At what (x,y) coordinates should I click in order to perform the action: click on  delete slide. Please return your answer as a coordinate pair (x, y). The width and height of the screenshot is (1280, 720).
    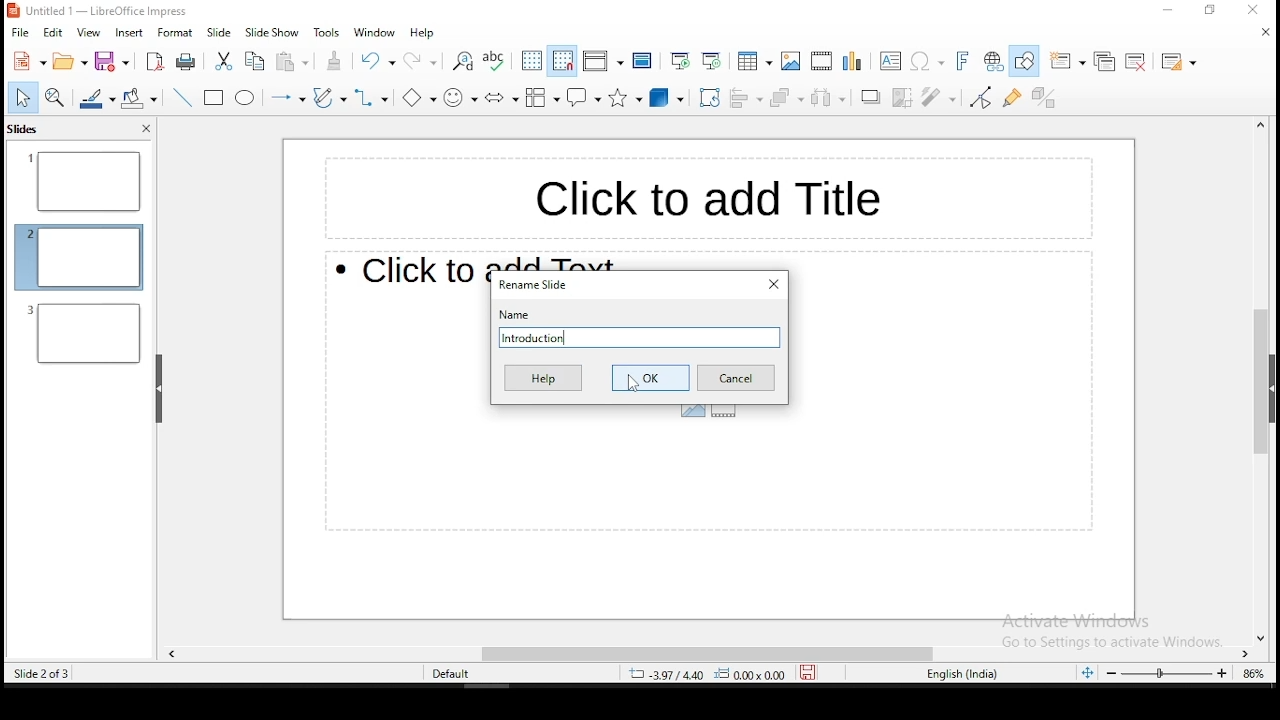
    Looking at the image, I should click on (1136, 61).